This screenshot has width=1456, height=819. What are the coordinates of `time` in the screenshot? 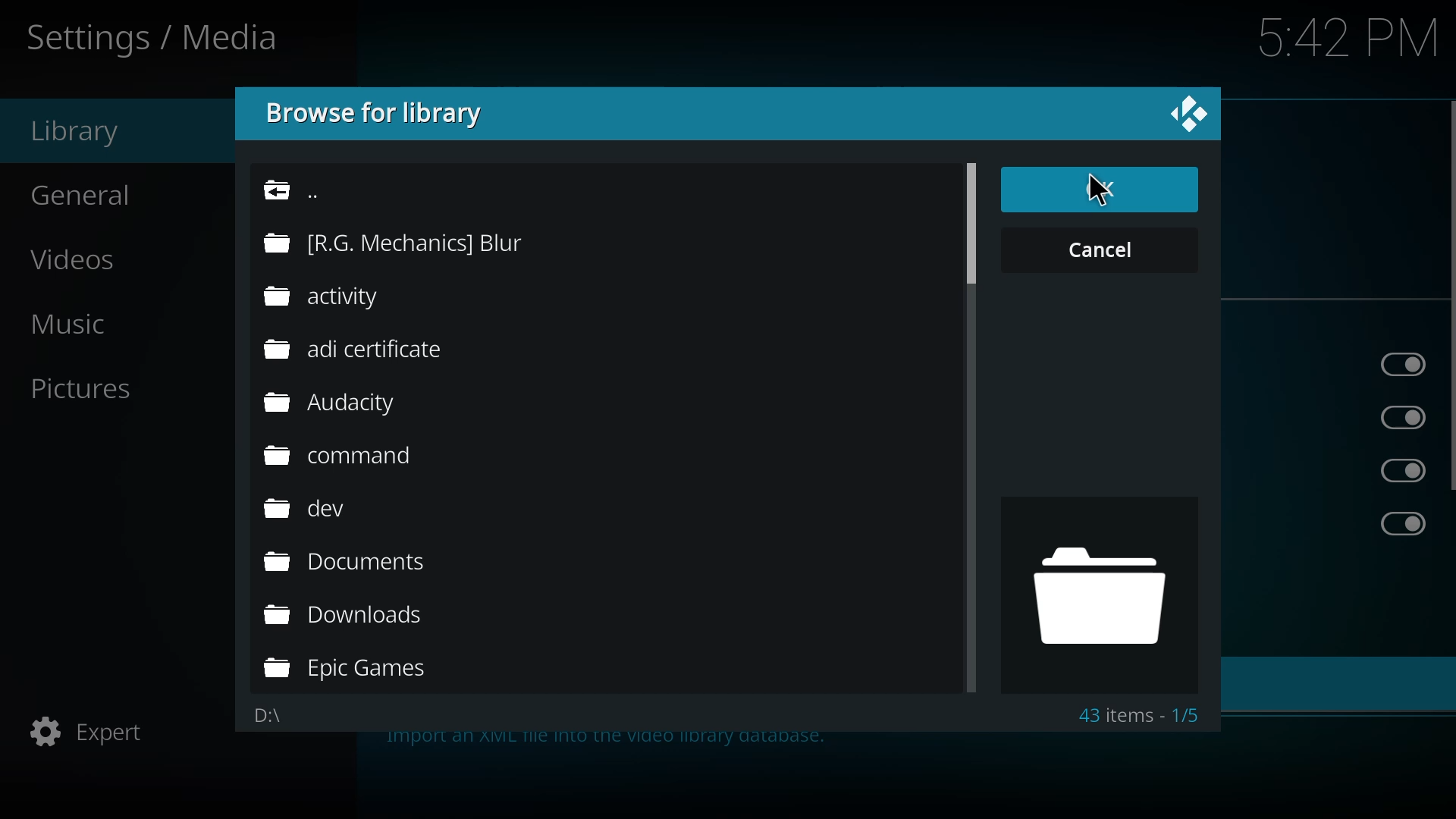 It's located at (1350, 35).